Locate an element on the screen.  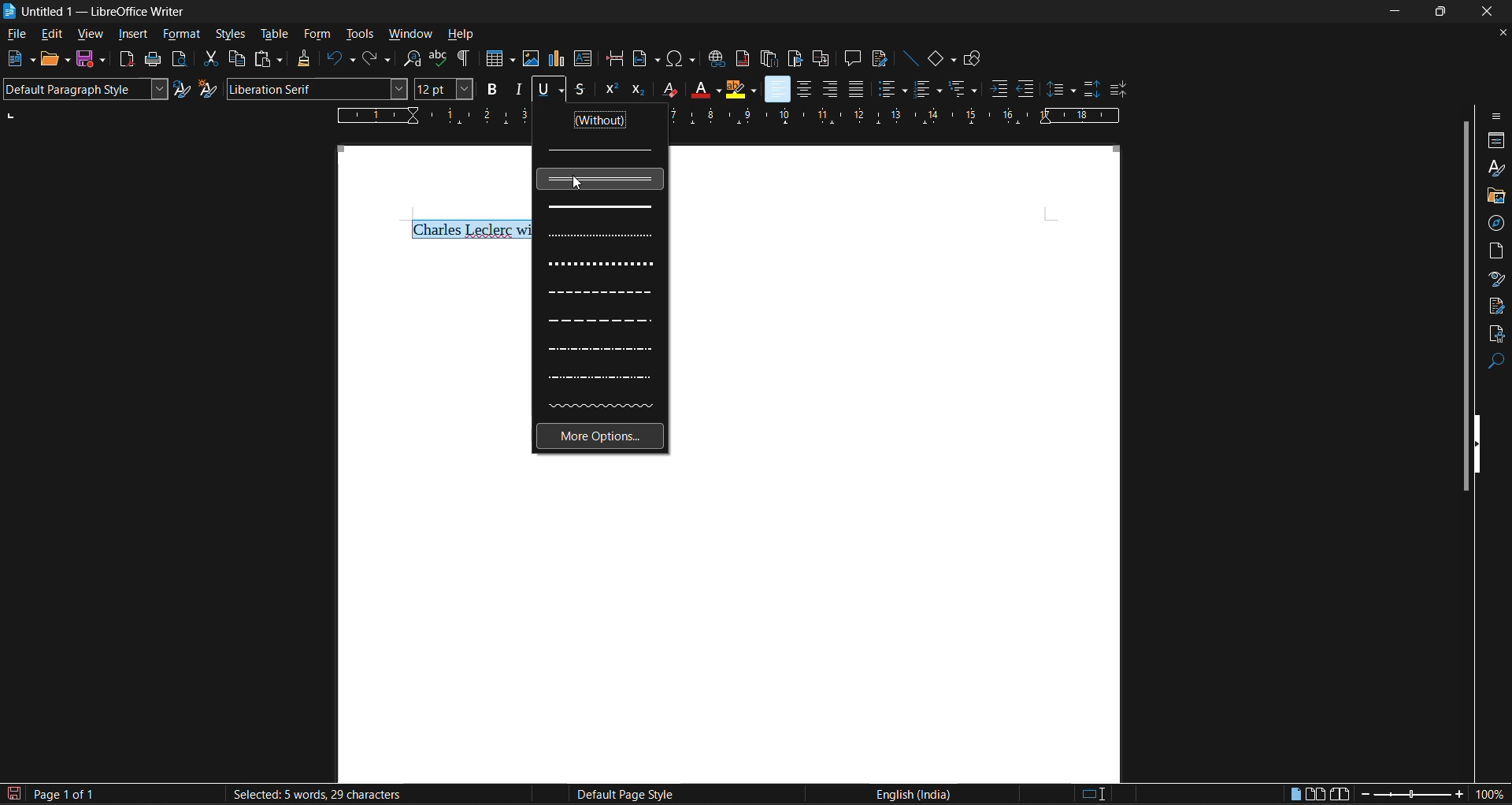
updated selected style is located at coordinates (183, 89).